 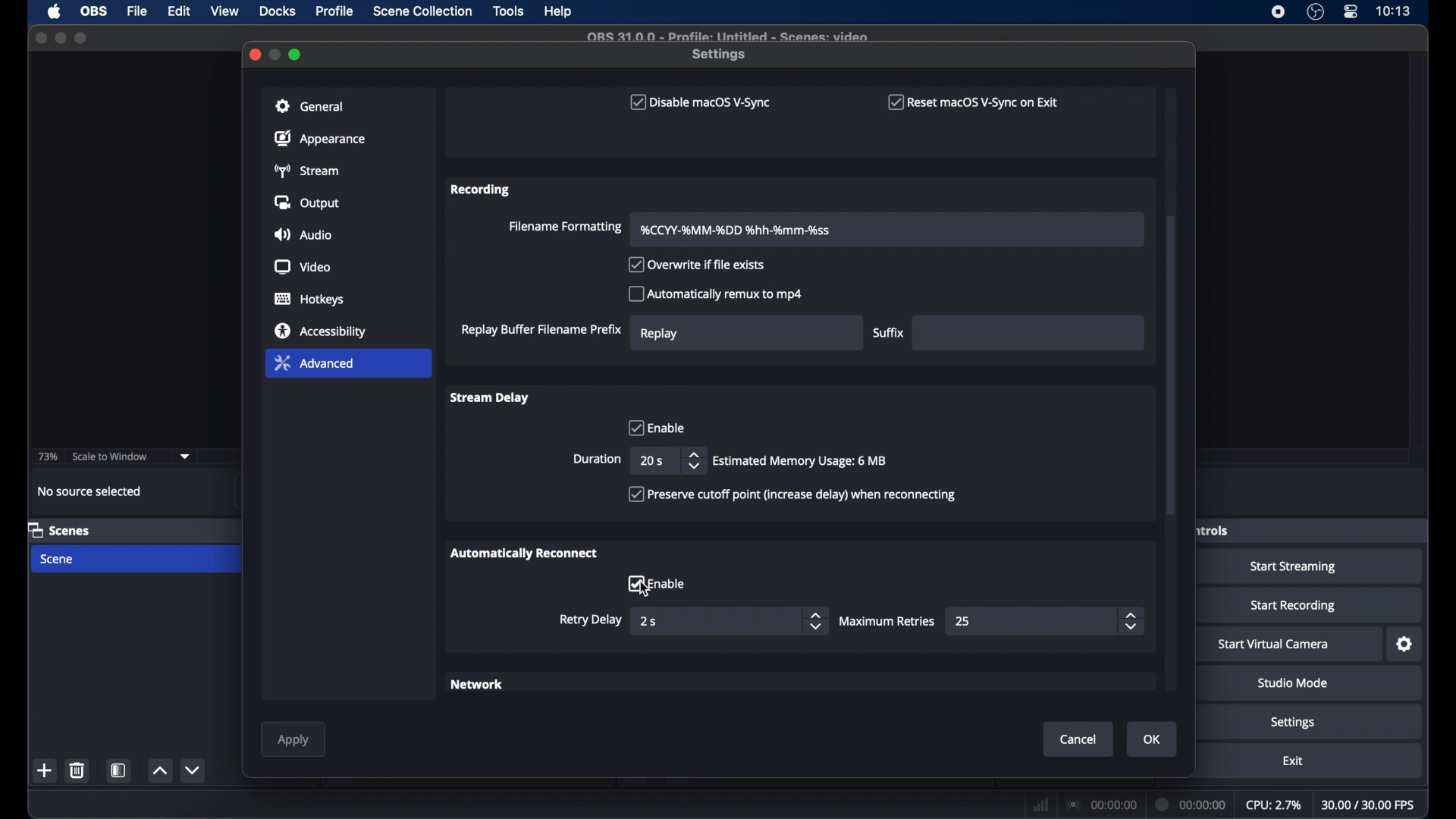 What do you see at coordinates (302, 236) in the screenshot?
I see `audio` at bounding box center [302, 236].